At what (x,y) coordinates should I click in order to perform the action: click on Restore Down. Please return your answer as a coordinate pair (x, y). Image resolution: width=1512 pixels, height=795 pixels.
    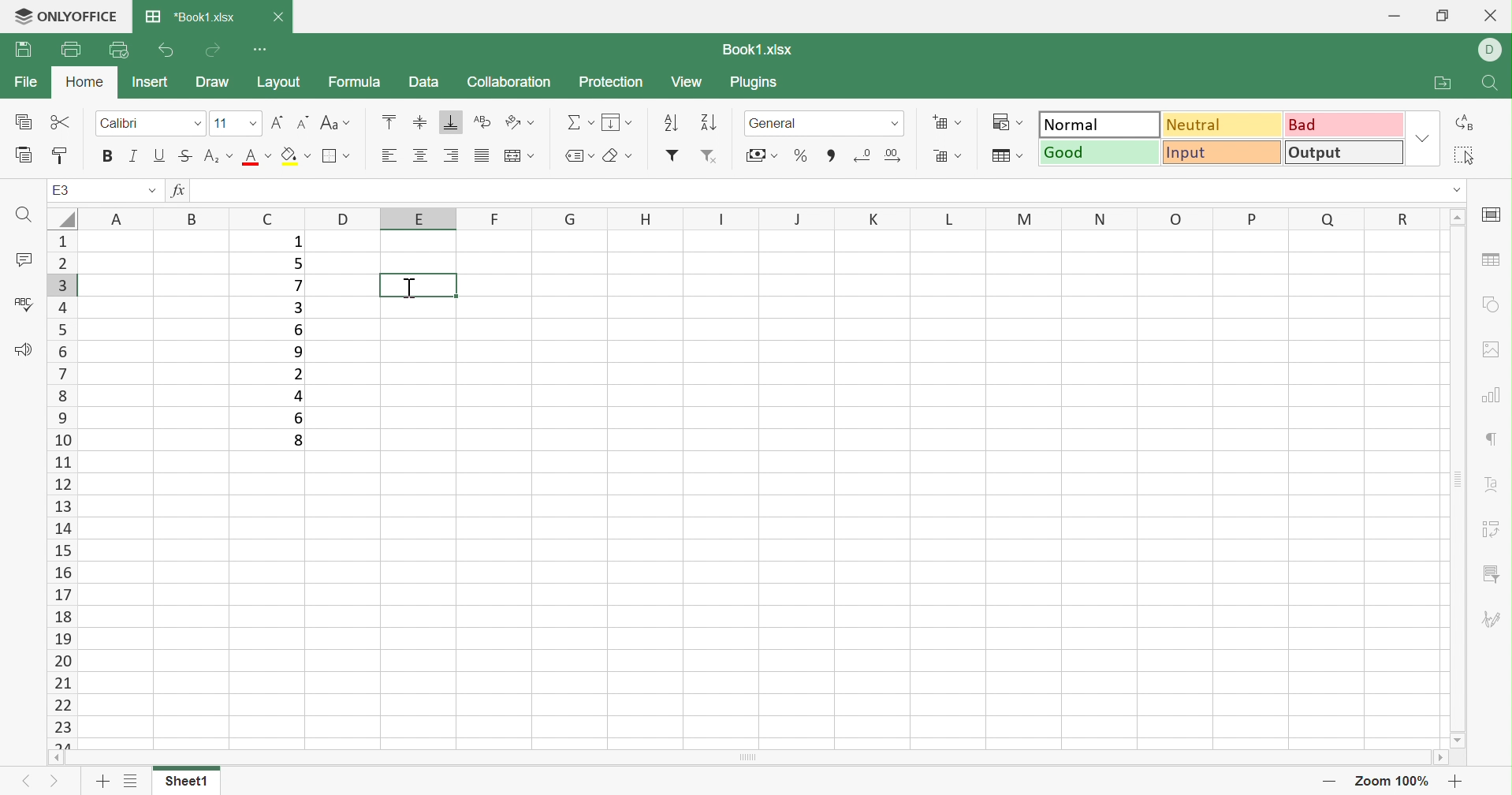
    Looking at the image, I should click on (1446, 15).